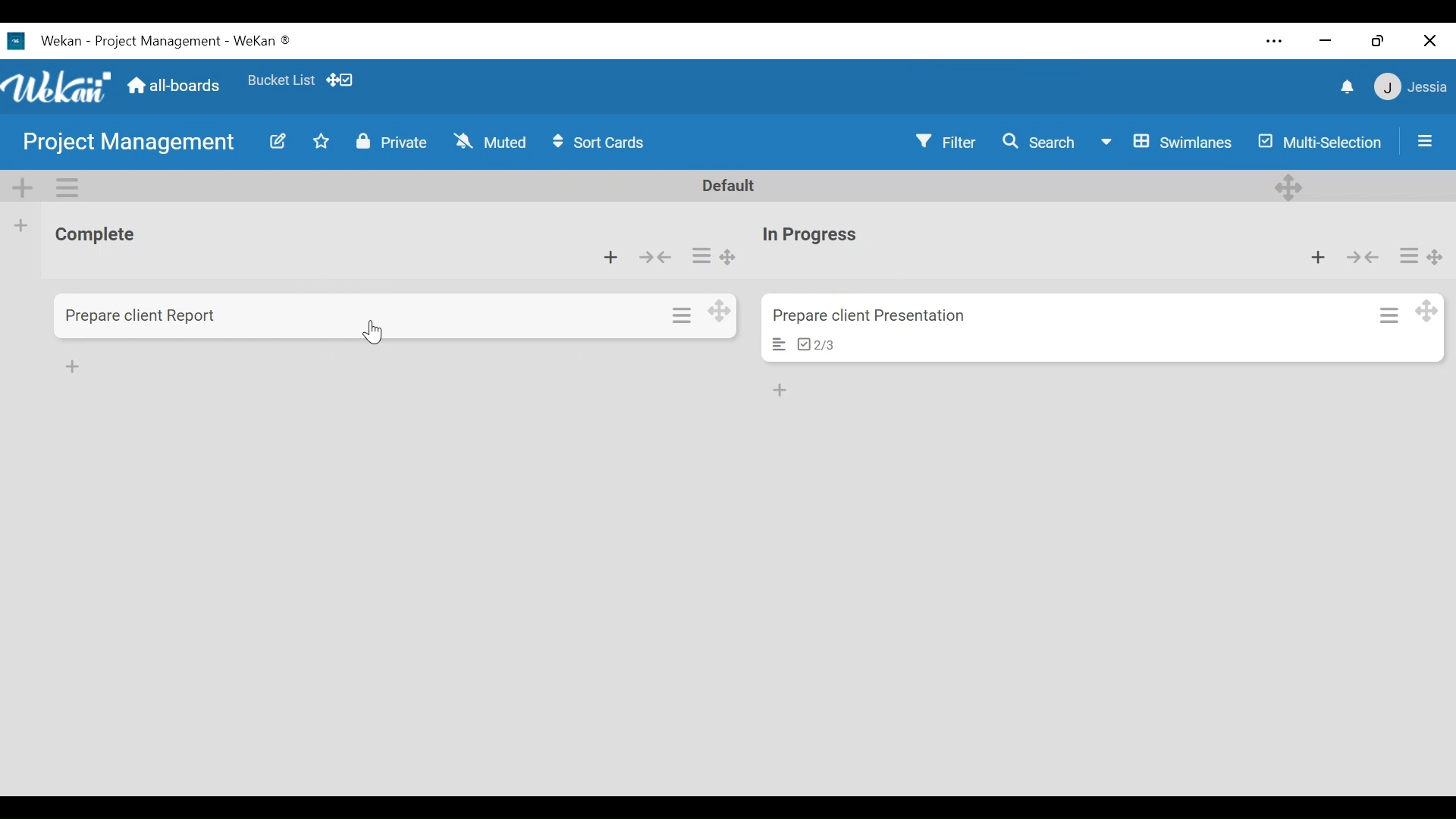  I want to click on Add list, so click(22, 225).